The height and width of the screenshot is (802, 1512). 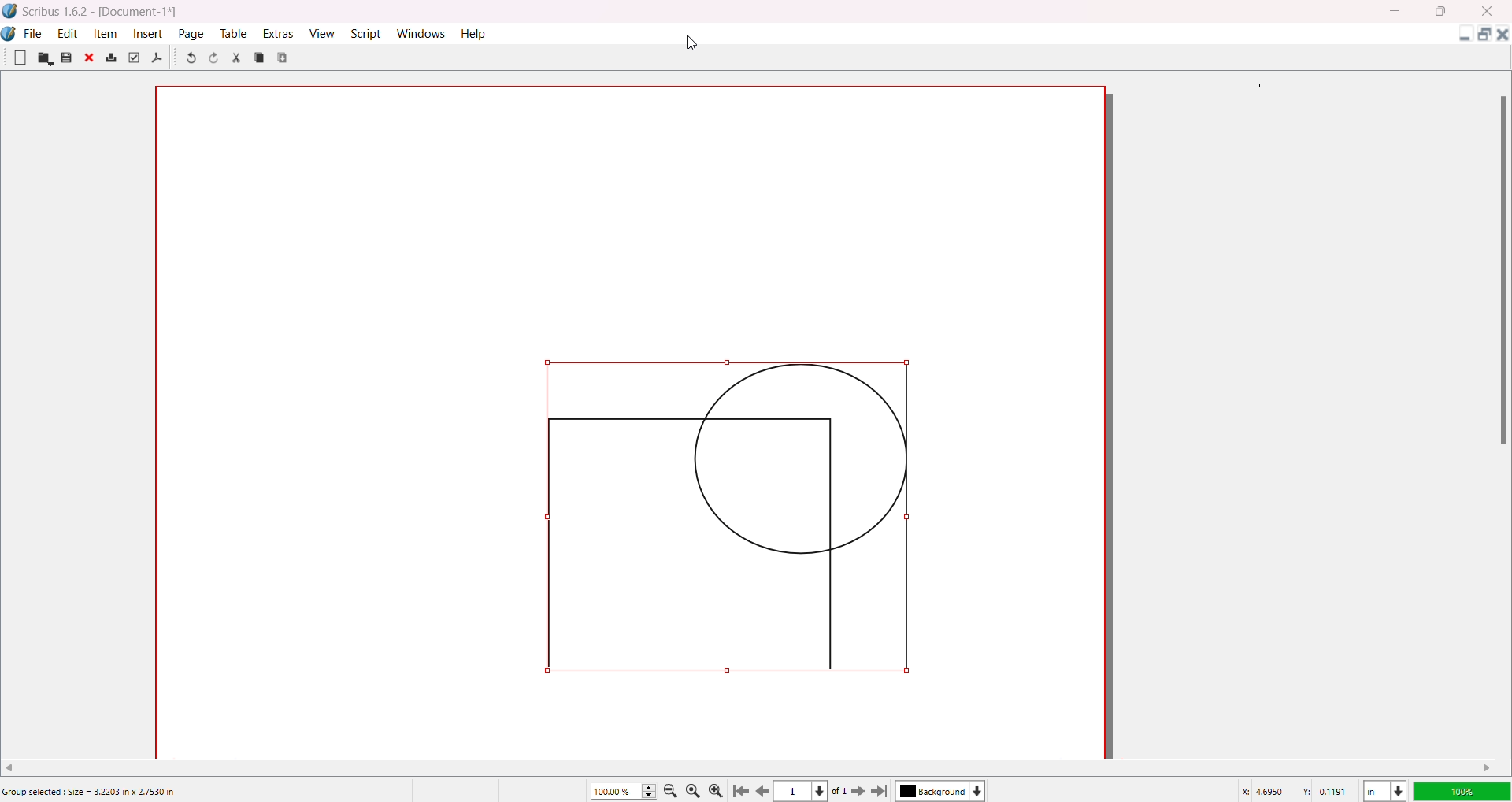 I want to click on Page, so click(x=192, y=33).